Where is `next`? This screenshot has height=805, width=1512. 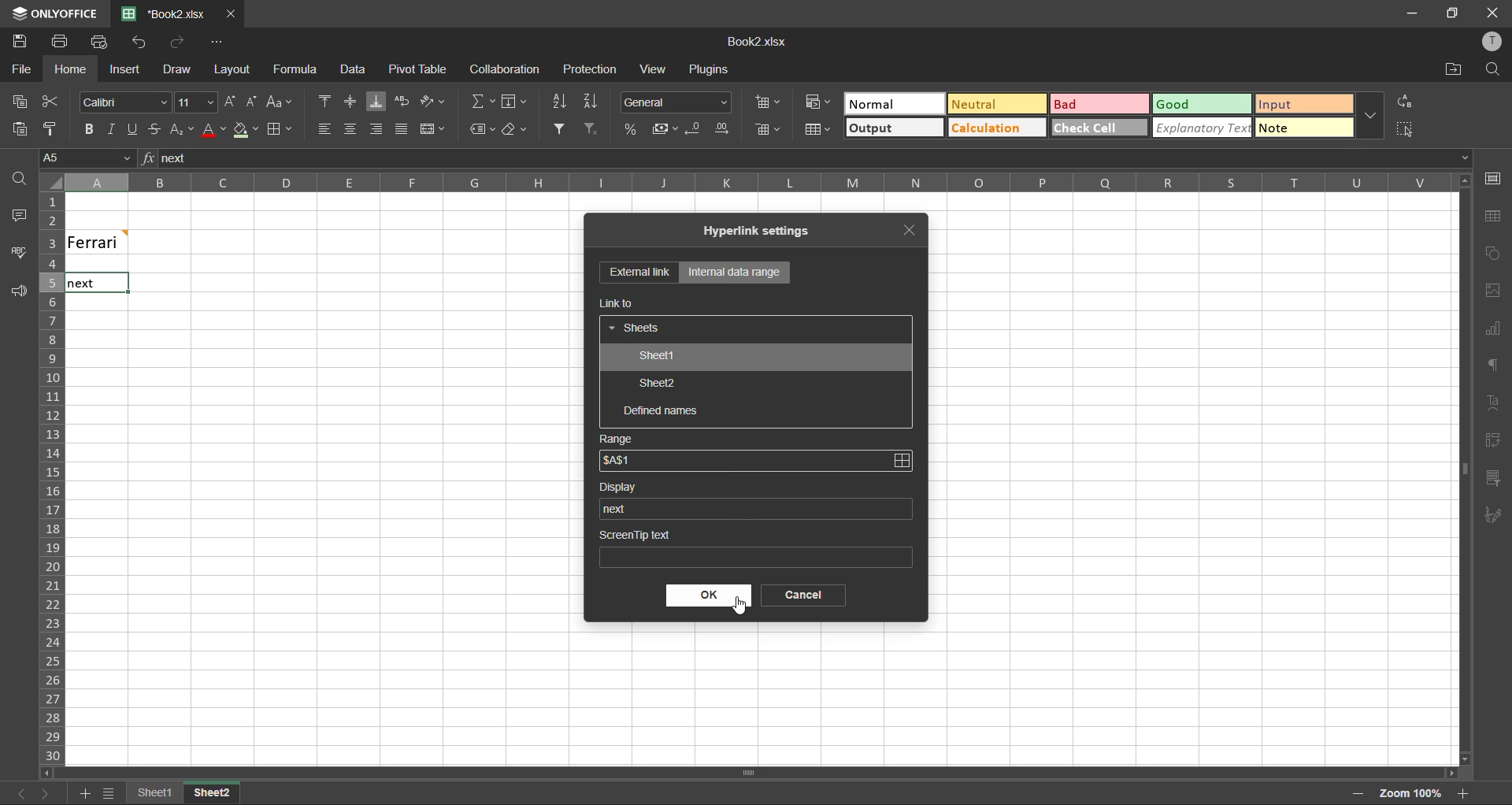 next is located at coordinates (43, 793).